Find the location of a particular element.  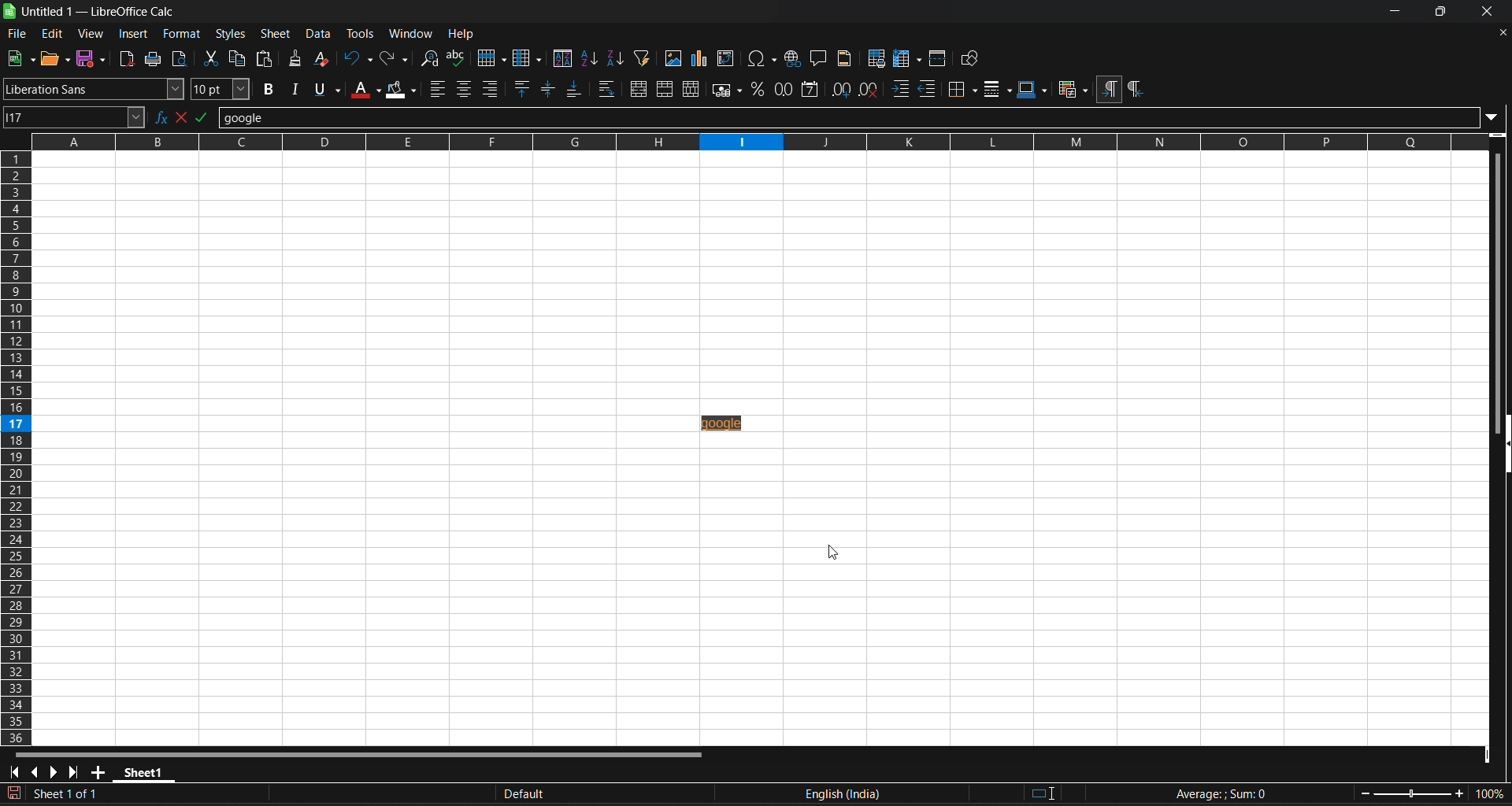

add decimal place is located at coordinates (839, 89).